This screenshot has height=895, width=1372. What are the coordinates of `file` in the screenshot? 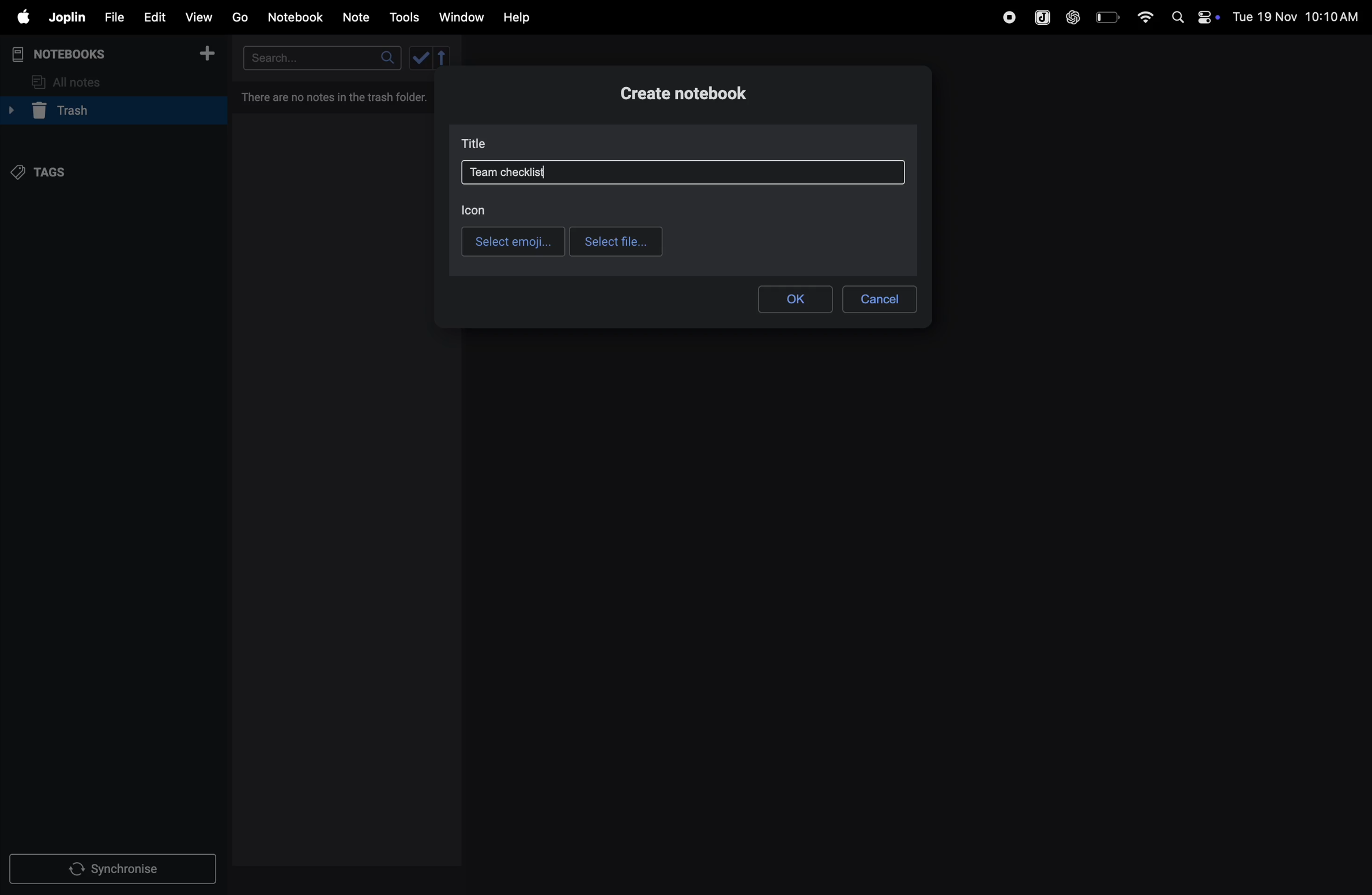 It's located at (114, 16).